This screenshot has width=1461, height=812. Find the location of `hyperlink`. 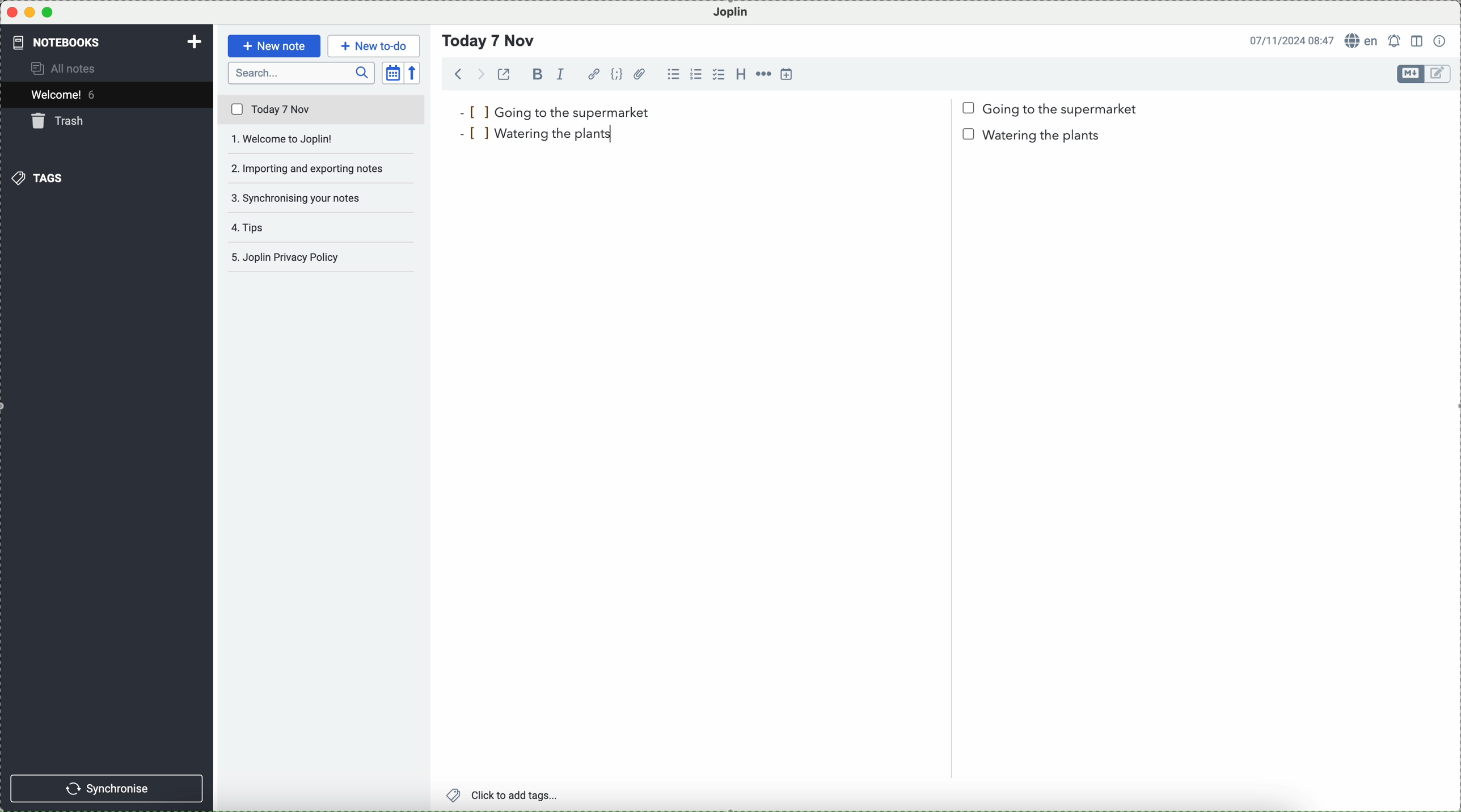

hyperlink is located at coordinates (594, 74).